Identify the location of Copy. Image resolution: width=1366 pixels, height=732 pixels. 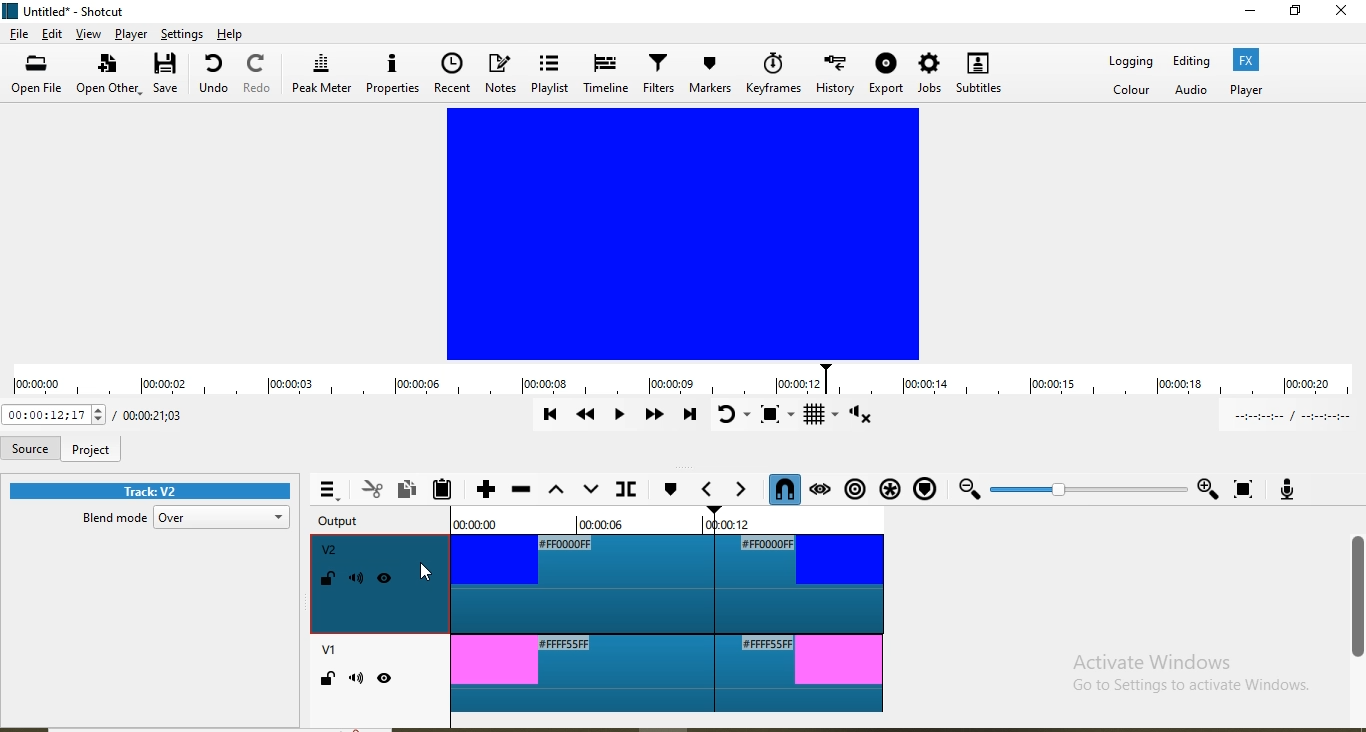
(407, 490).